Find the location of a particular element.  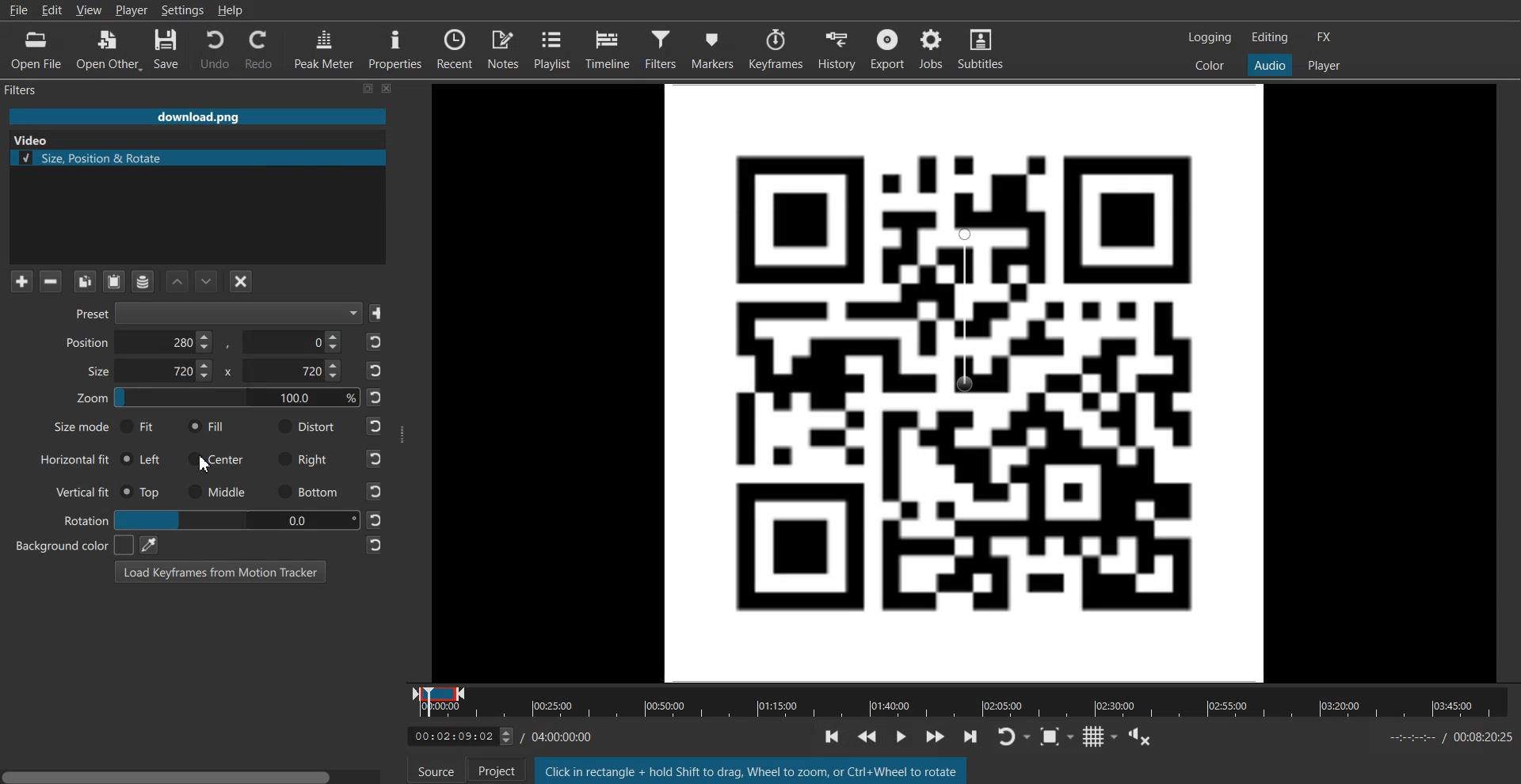

Maximize is located at coordinates (369, 89).